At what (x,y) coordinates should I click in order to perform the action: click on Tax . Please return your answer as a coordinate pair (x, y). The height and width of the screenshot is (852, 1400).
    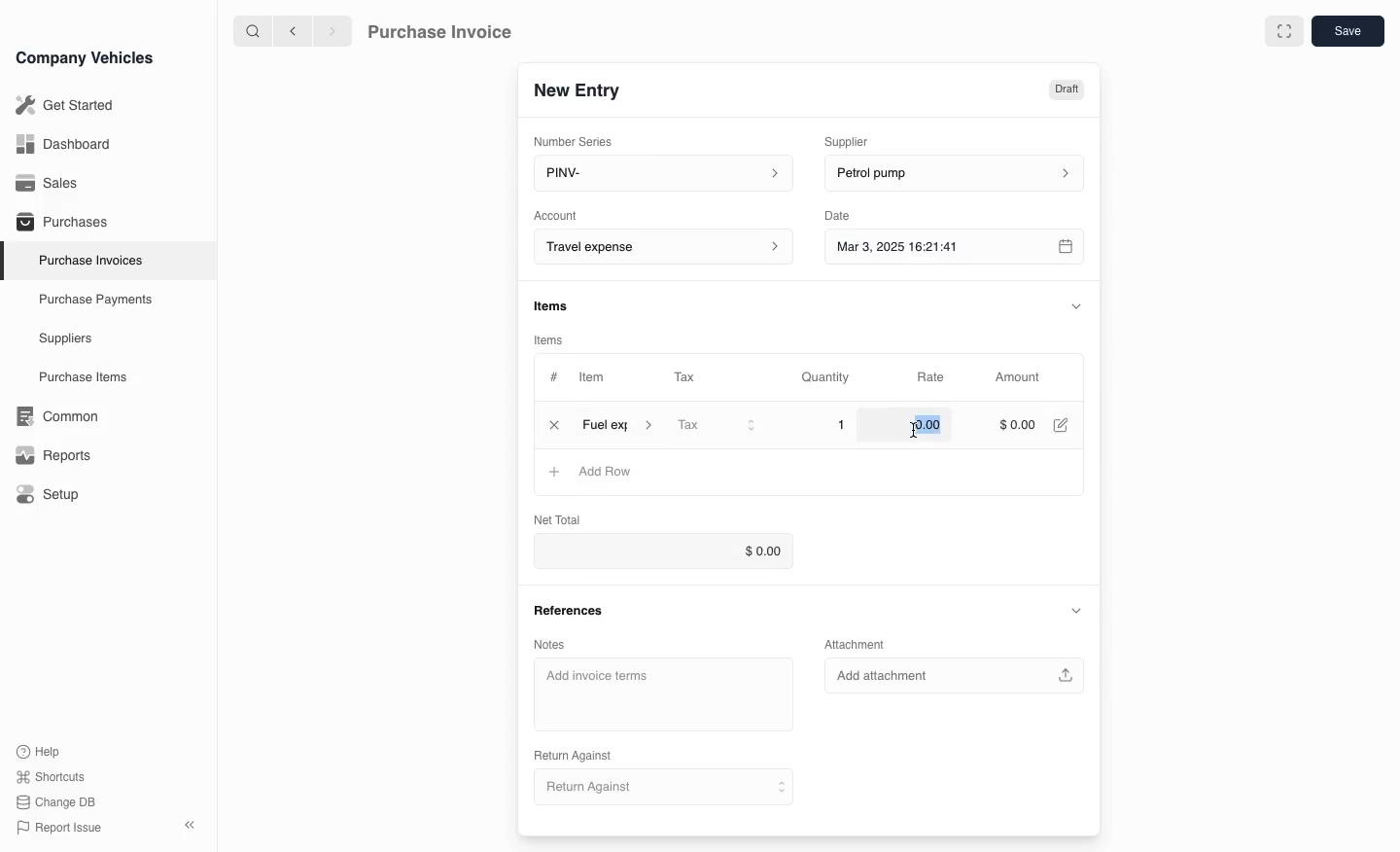
    Looking at the image, I should click on (716, 427).